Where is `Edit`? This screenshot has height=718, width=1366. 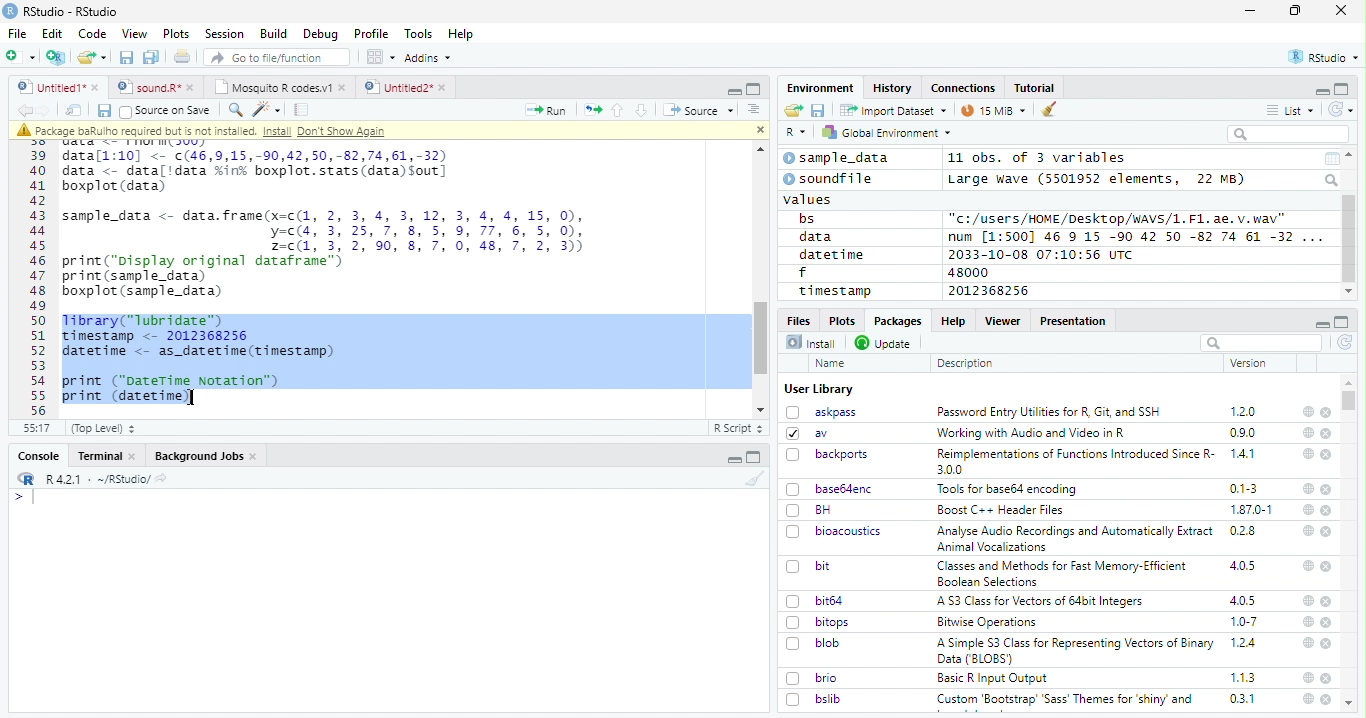 Edit is located at coordinates (52, 33).